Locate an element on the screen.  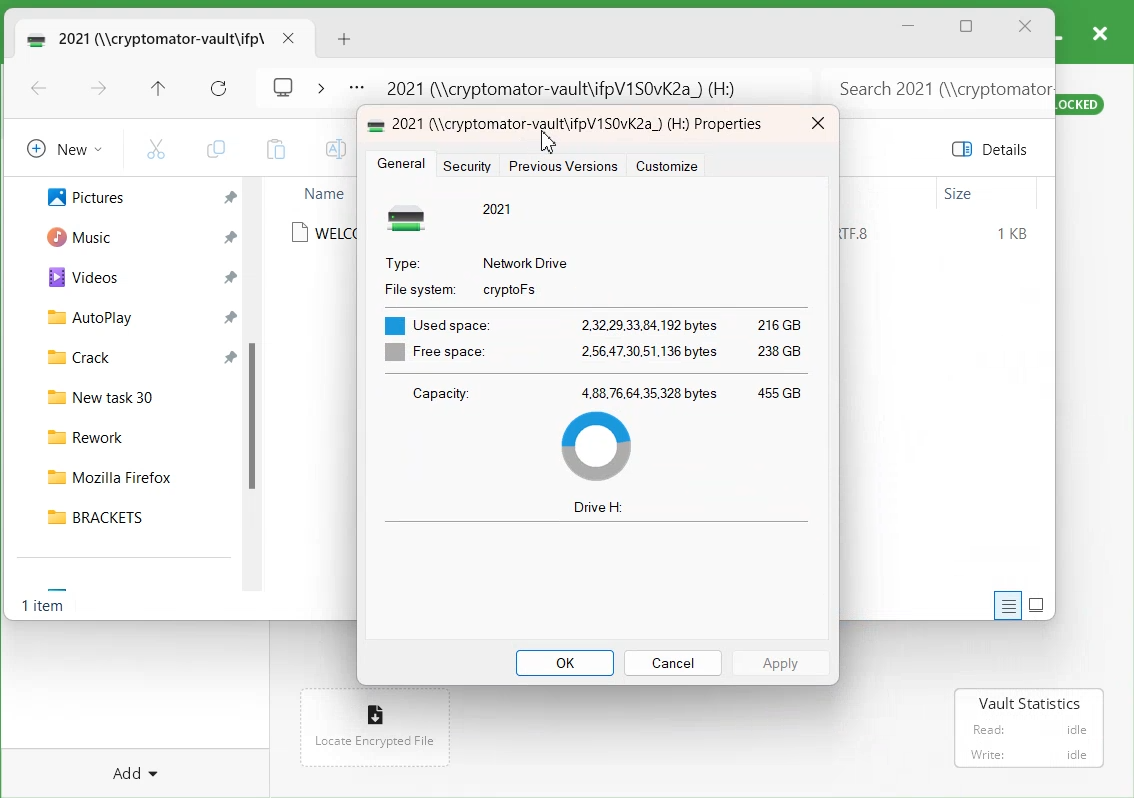
React idle is located at coordinates (1027, 727).